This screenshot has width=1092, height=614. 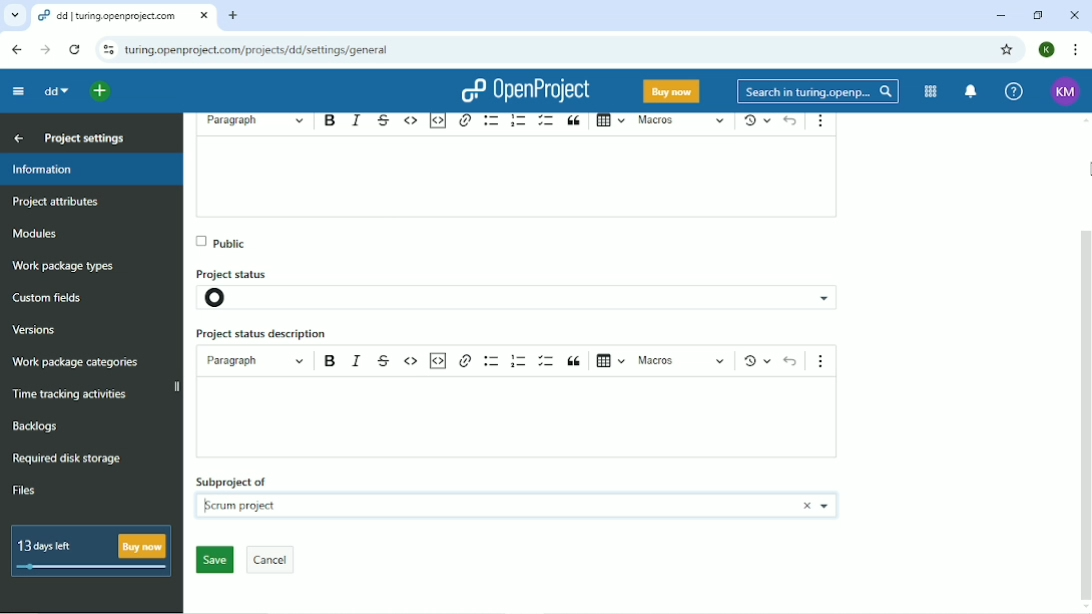 I want to click on Strike through, so click(x=383, y=122).